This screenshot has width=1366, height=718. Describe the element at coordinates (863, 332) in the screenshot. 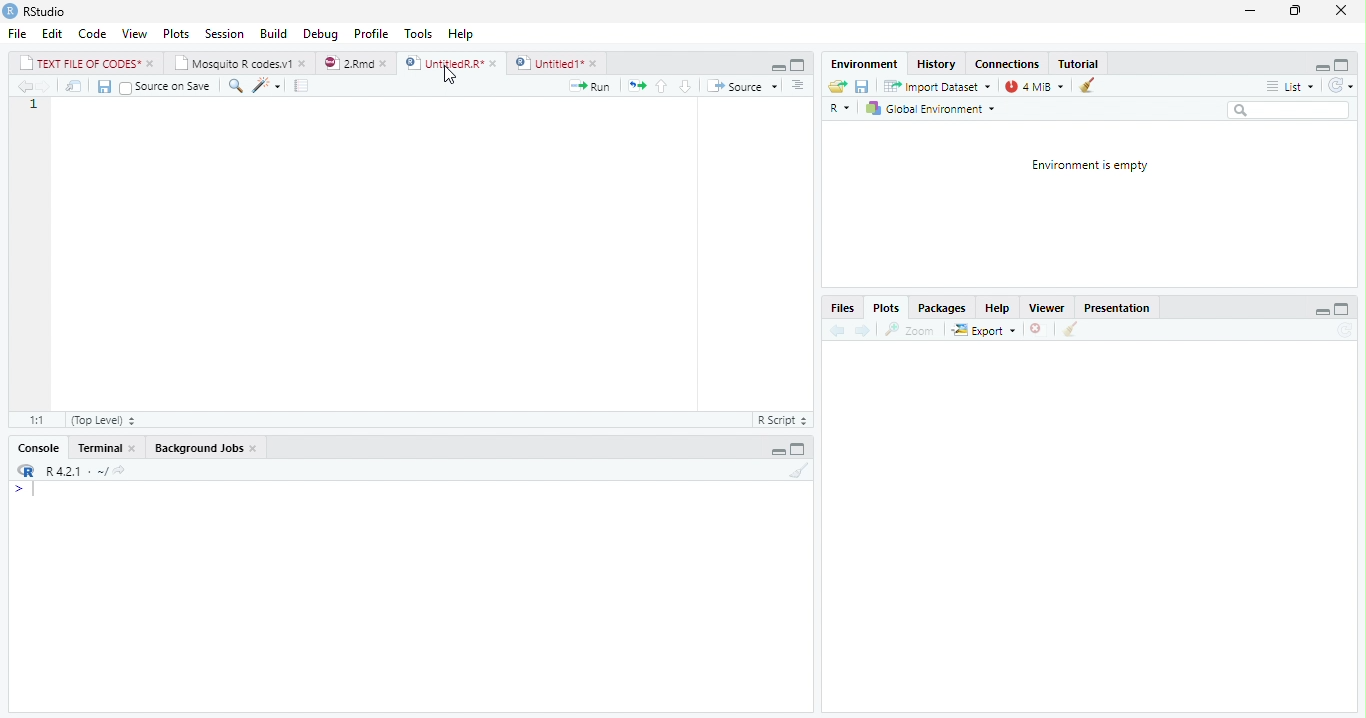

I see `go forward` at that location.